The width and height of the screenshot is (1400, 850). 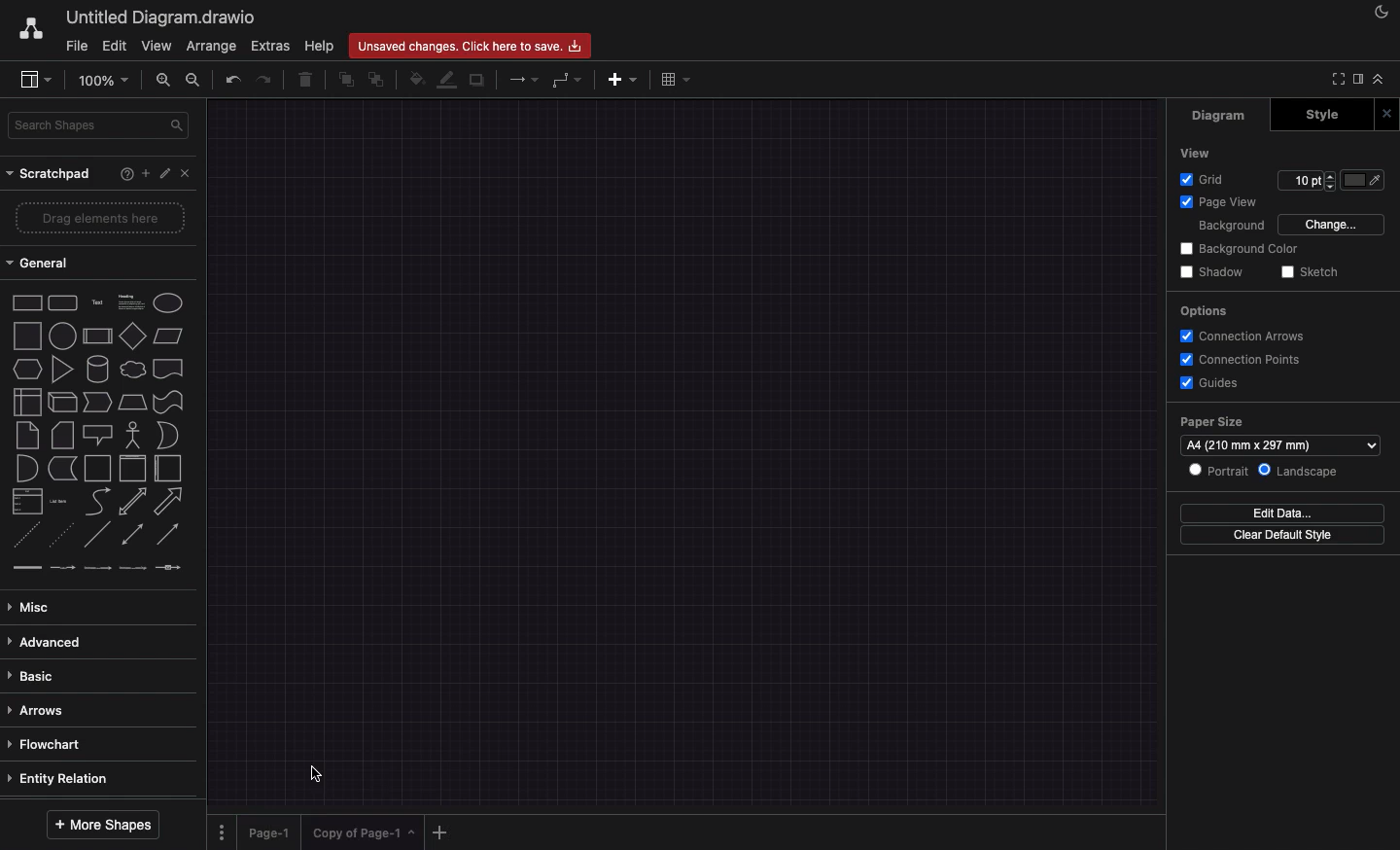 What do you see at coordinates (1282, 514) in the screenshot?
I see `edit data` at bounding box center [1282, 514].